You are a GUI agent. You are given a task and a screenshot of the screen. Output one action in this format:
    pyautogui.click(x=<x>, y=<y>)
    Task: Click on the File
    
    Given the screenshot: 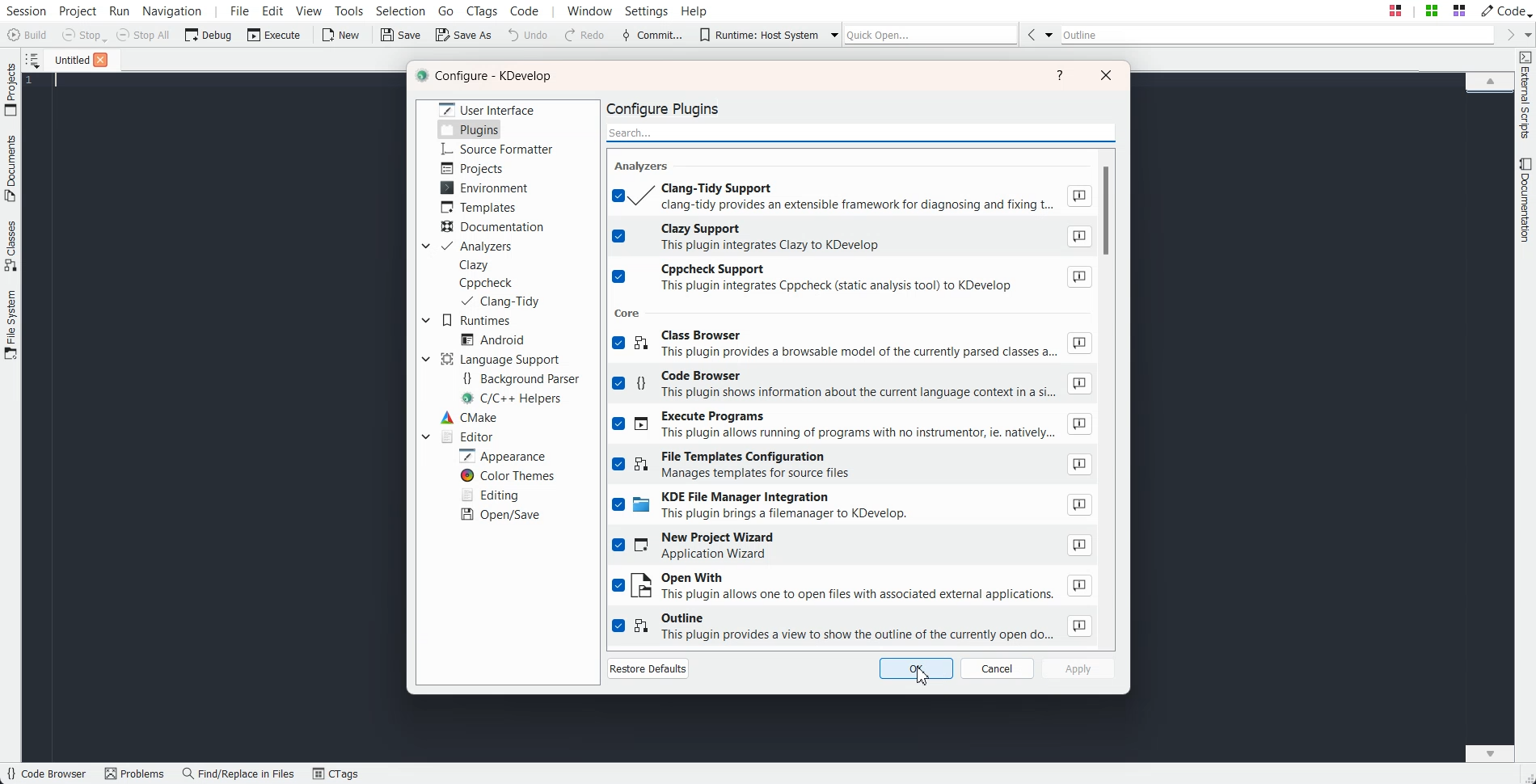 What is the action you would take?
    pyautogui.click(x=67, y=59)
    